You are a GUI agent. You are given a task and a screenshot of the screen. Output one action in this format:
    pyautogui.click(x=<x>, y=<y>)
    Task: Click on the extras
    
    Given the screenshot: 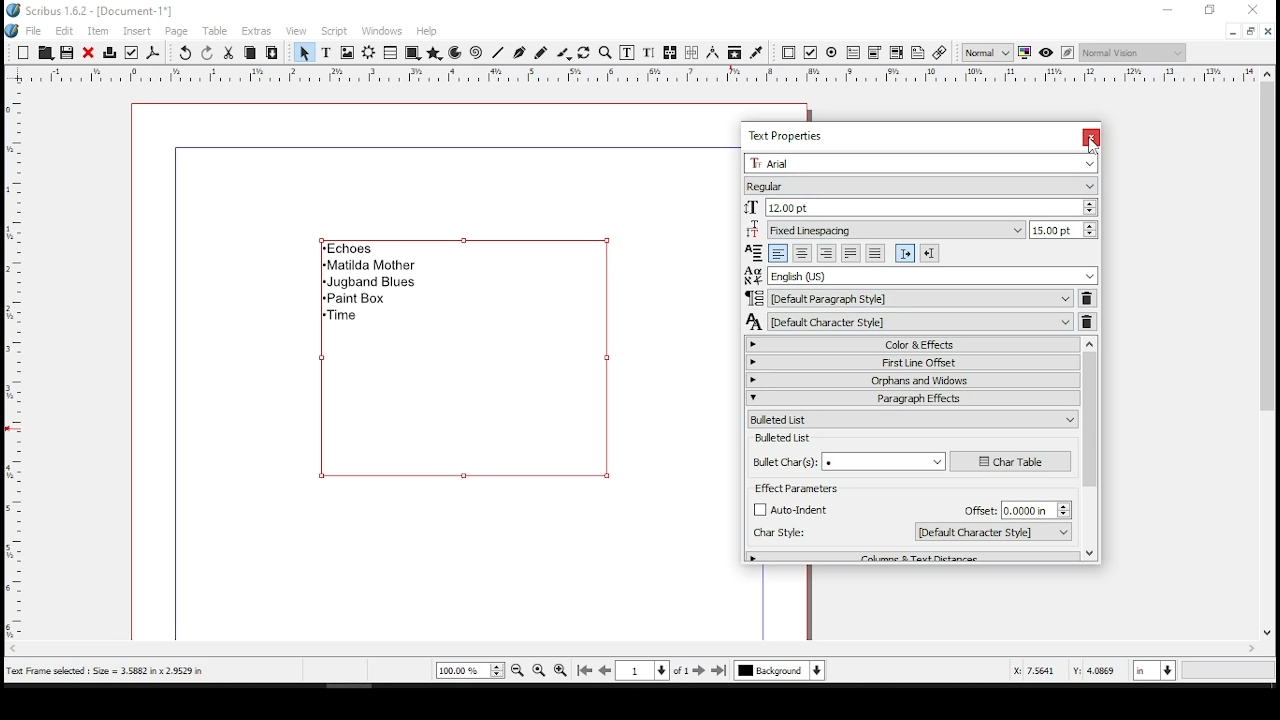 What is the action you would take?
    pyautogui.click(x=258, y=32)
    